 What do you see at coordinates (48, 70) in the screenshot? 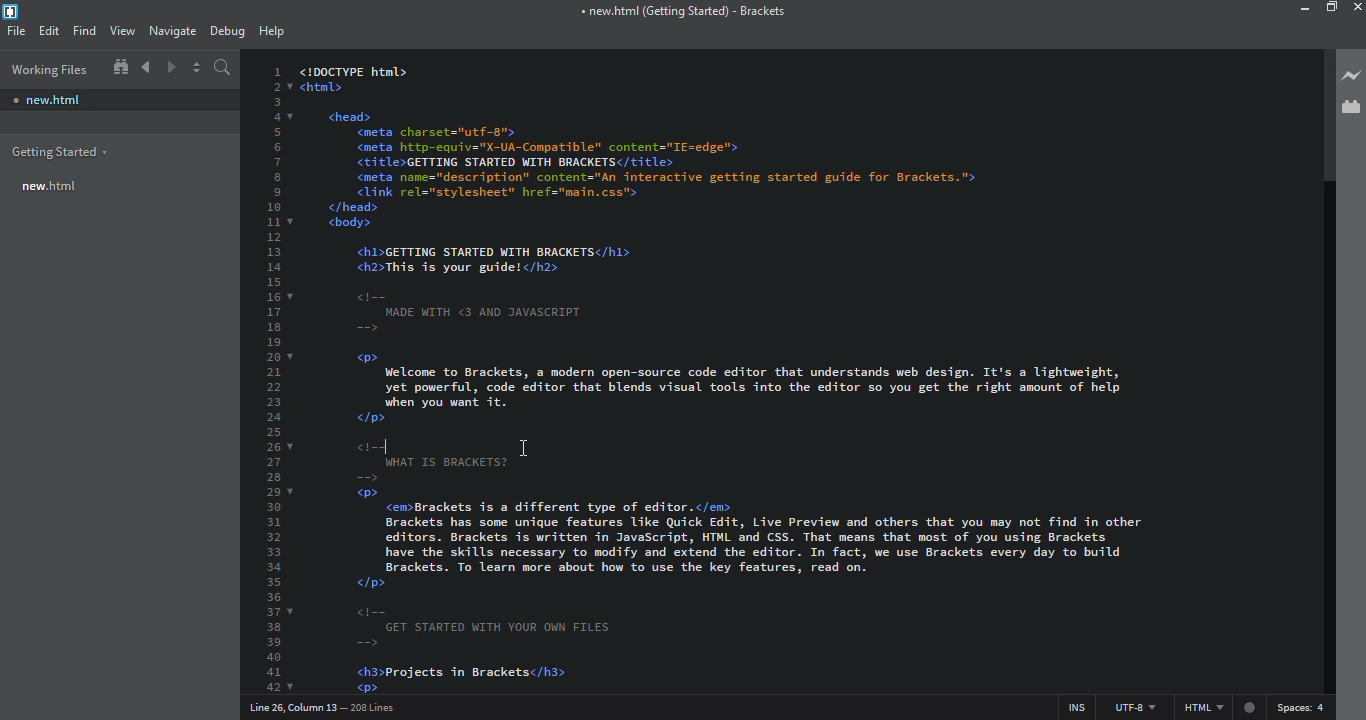
I see `working files` at bounding box center [48, 70].